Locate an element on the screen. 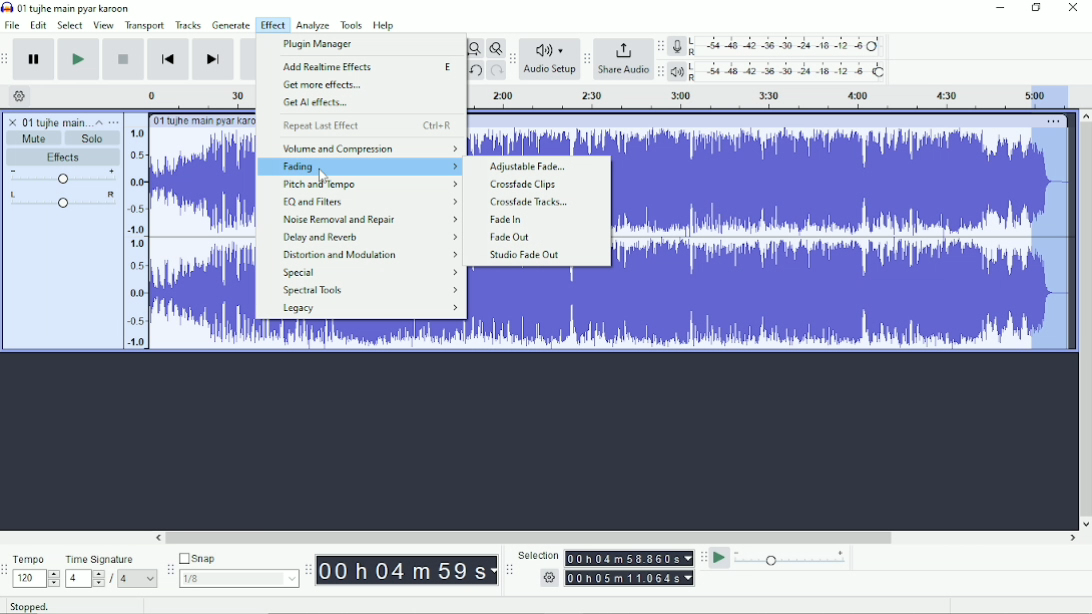 This screenshot has height=614, width=1092. 01 tujhe main pyar karoon is located at coordinates (76, 8).